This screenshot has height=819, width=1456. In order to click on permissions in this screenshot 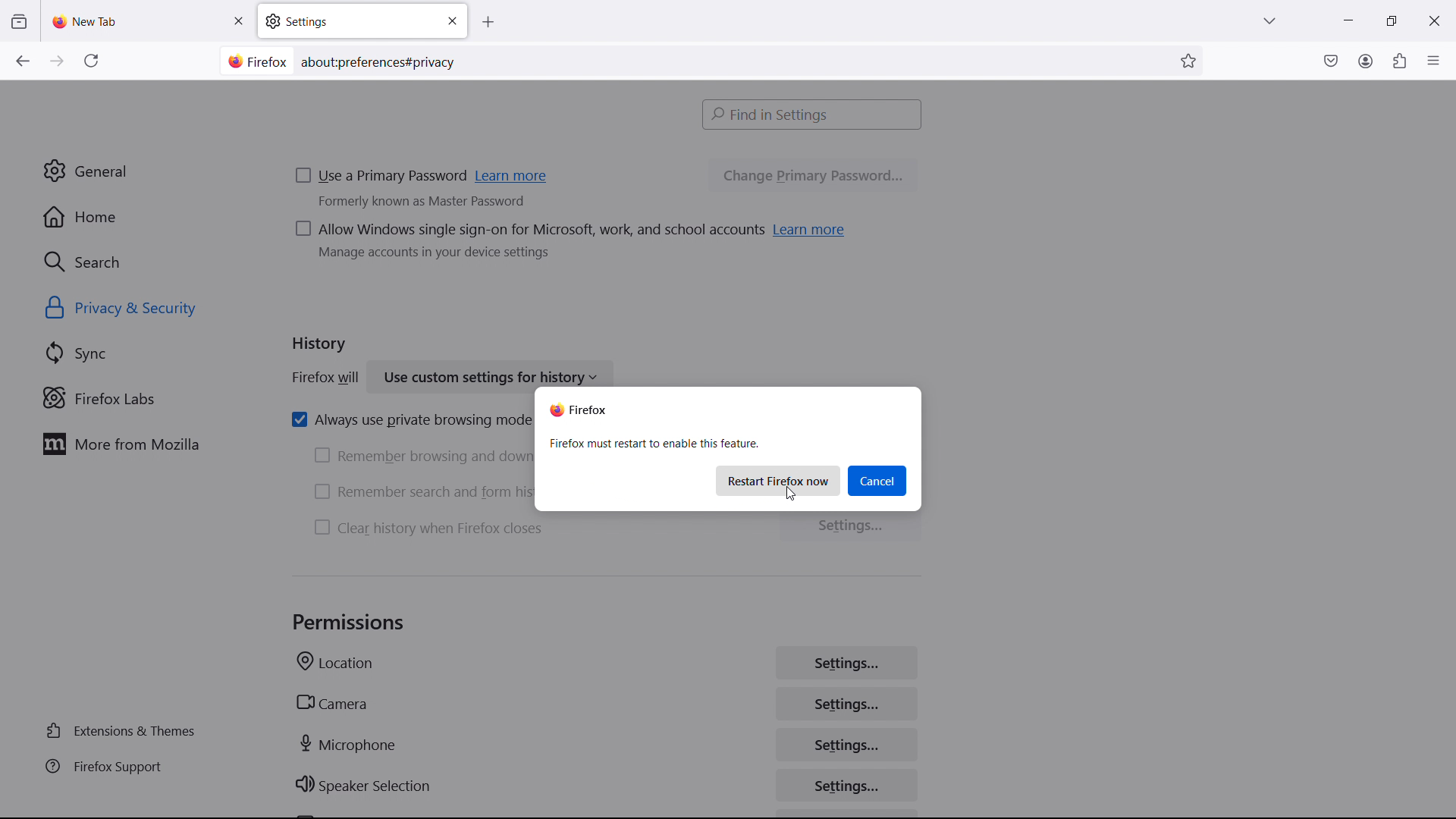, I will do `click(350, 623)`.